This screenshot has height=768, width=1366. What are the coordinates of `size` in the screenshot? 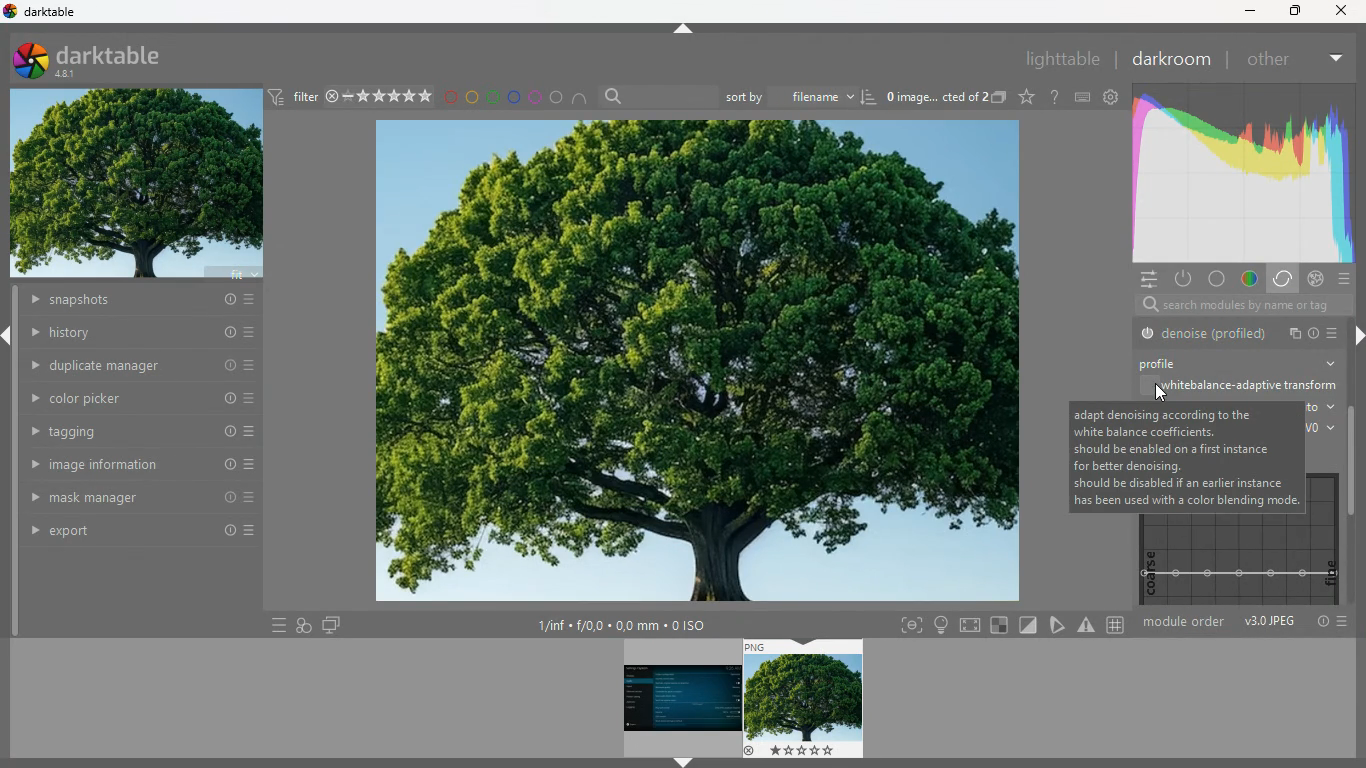 It's located at (621, 626).